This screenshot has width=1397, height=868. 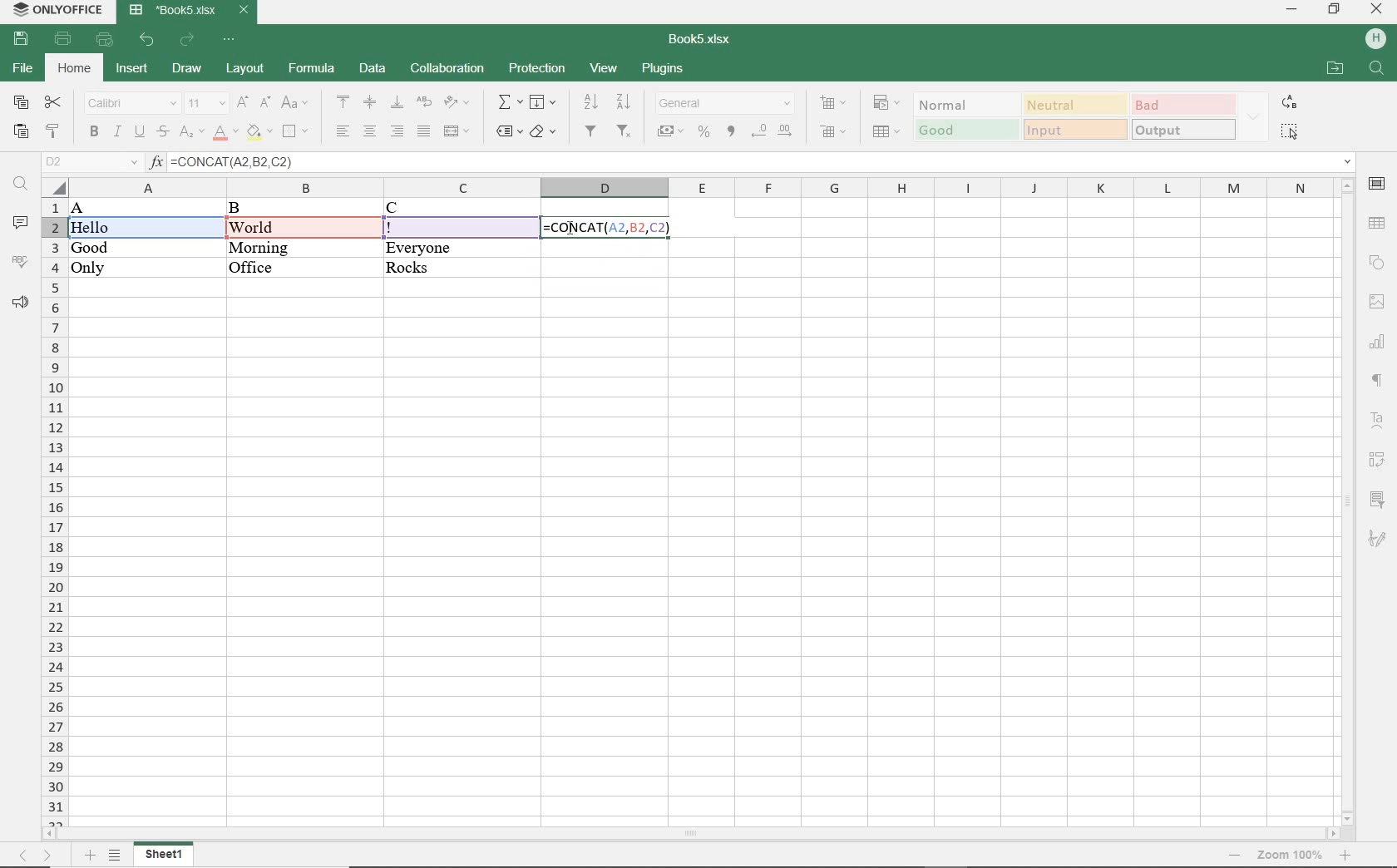 What do you see at coordinates (886, 131) in the screenshot?
I see `FORMAT AS TABLE TEMPLATE` at bounding box center [886, 131].